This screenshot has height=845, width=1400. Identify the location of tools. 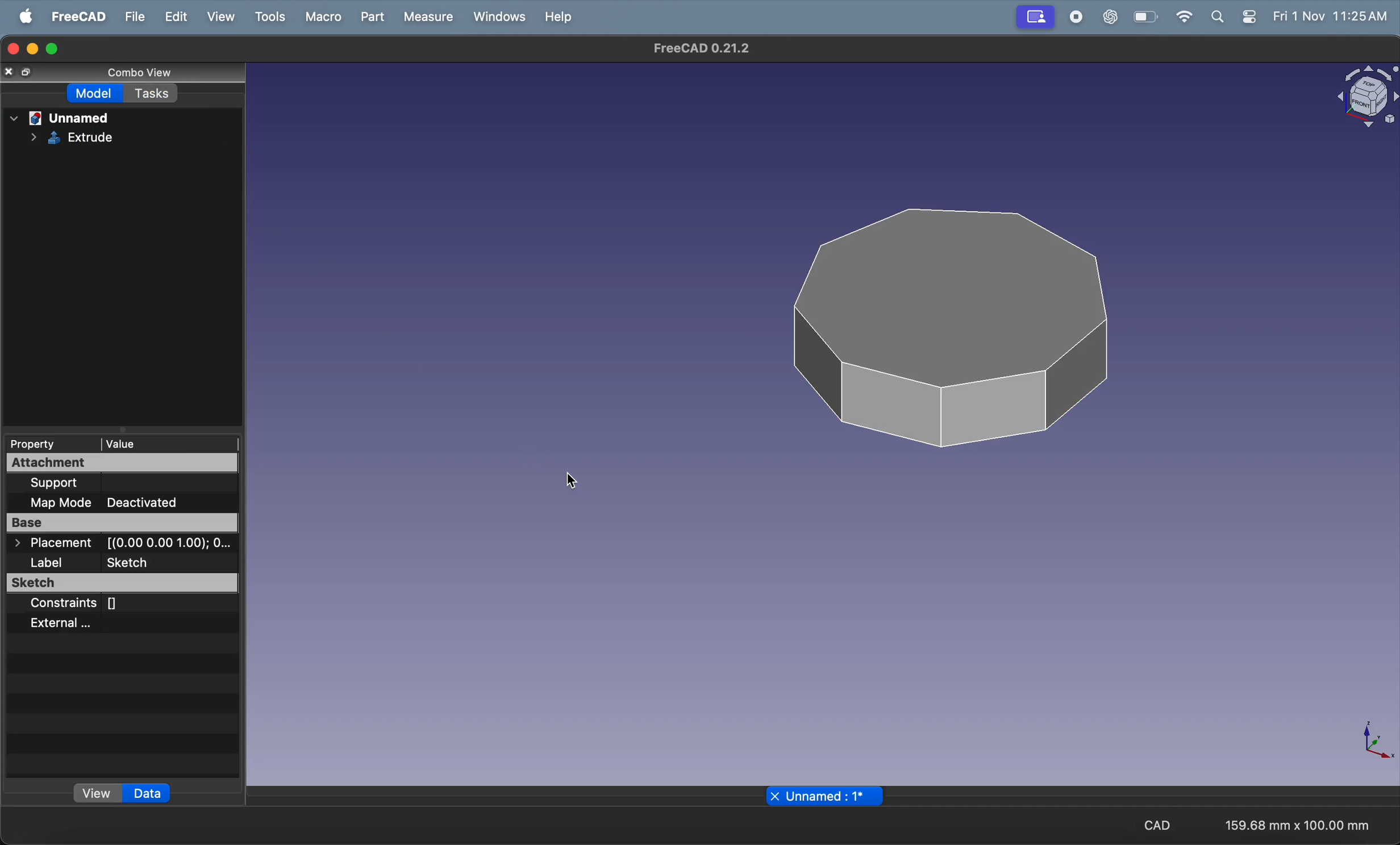
(268, 16).